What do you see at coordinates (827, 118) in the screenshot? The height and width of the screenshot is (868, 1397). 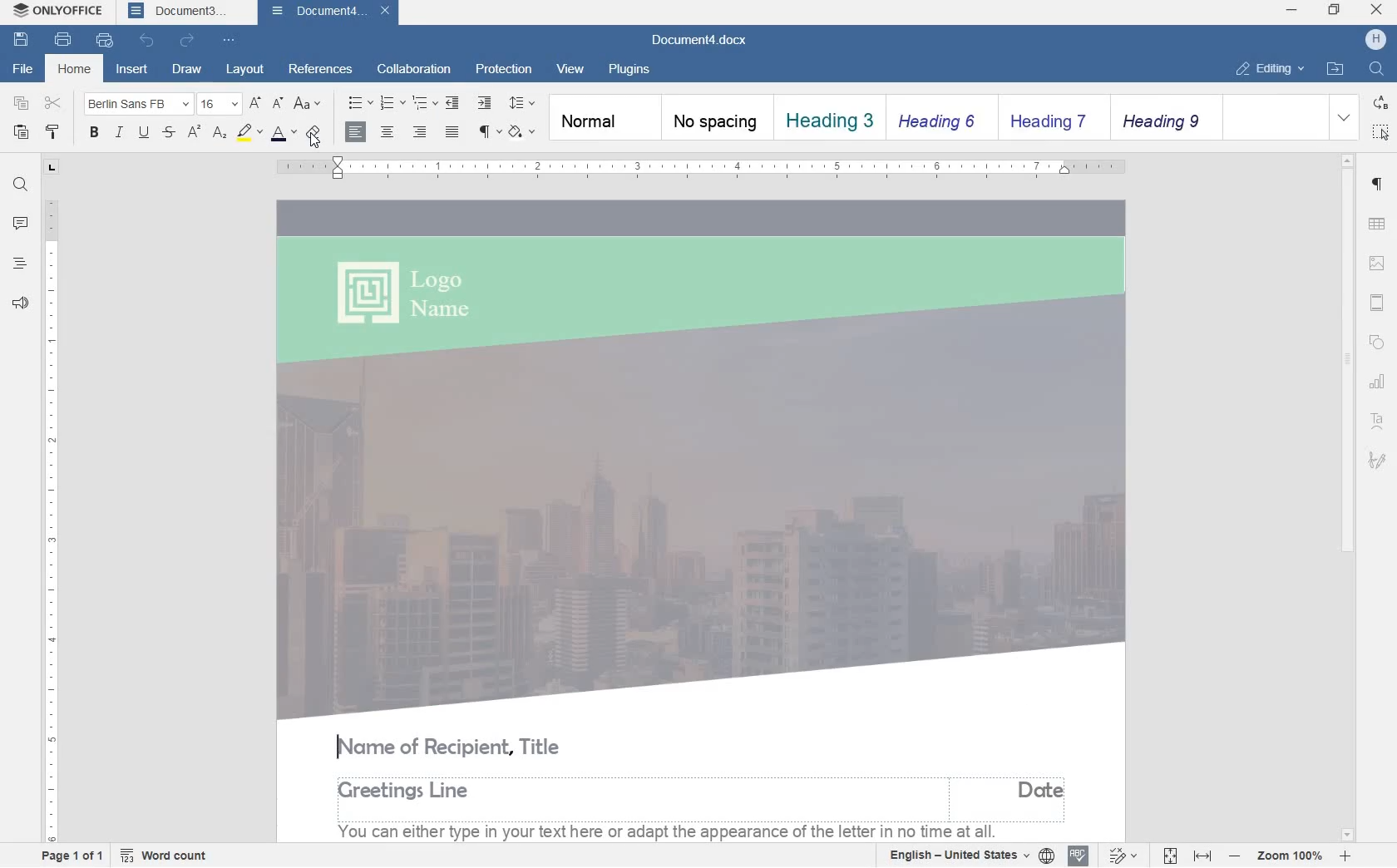 I see `heading 1` at bounding box center [827, 118].